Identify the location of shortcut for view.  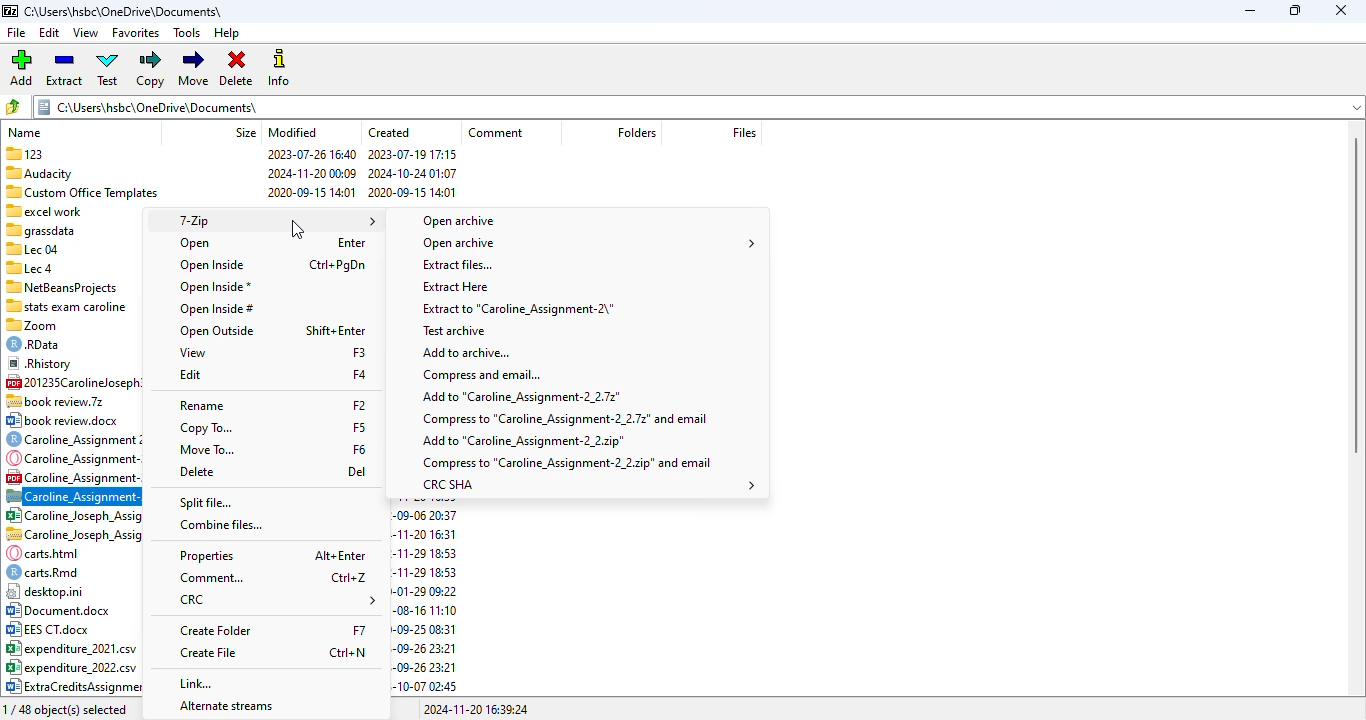
(359, 352).